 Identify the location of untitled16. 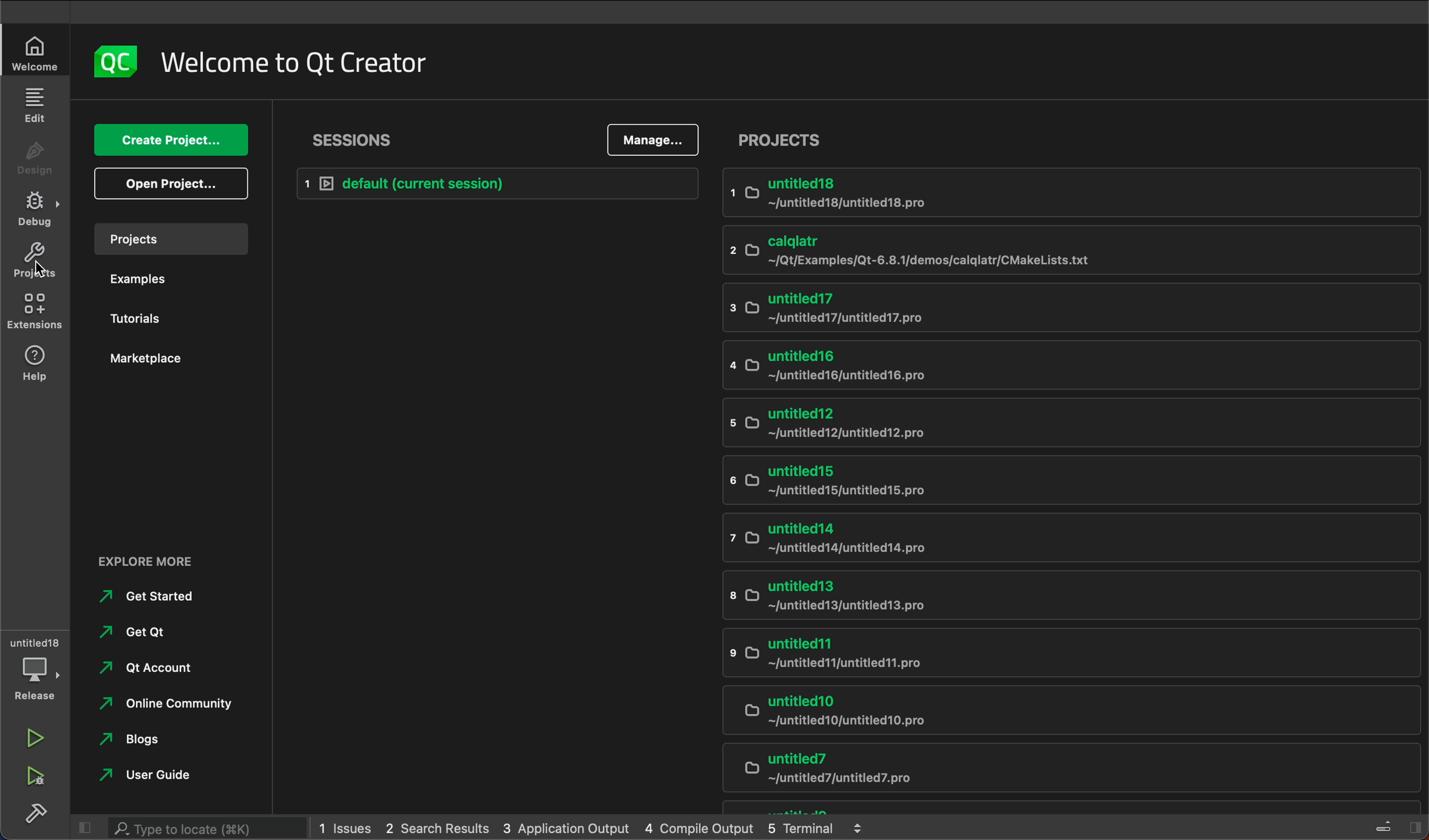
(1053, 363).